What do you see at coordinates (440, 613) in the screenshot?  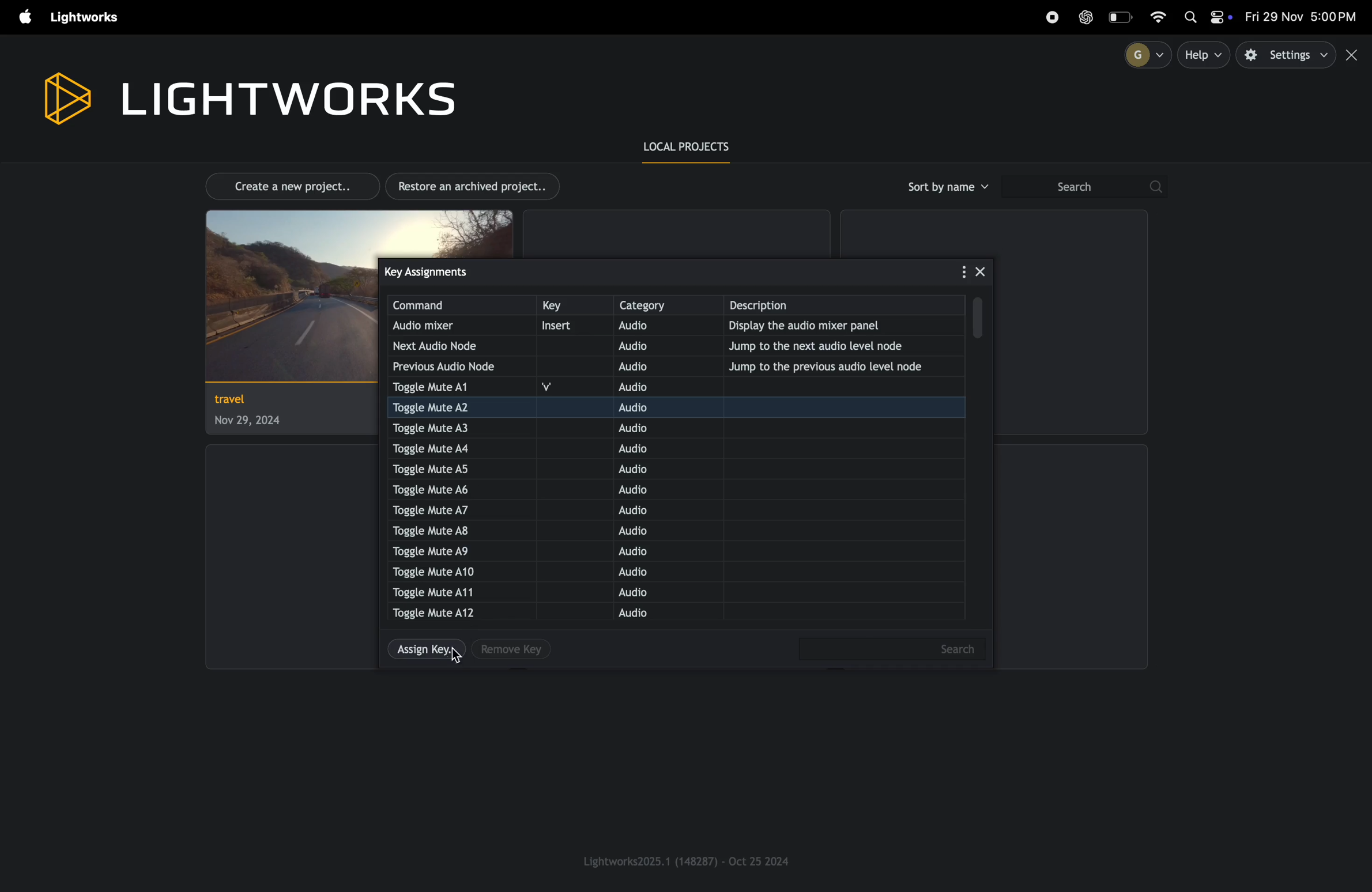 I see `toggle mute A12` at bounding box center [440, 613].